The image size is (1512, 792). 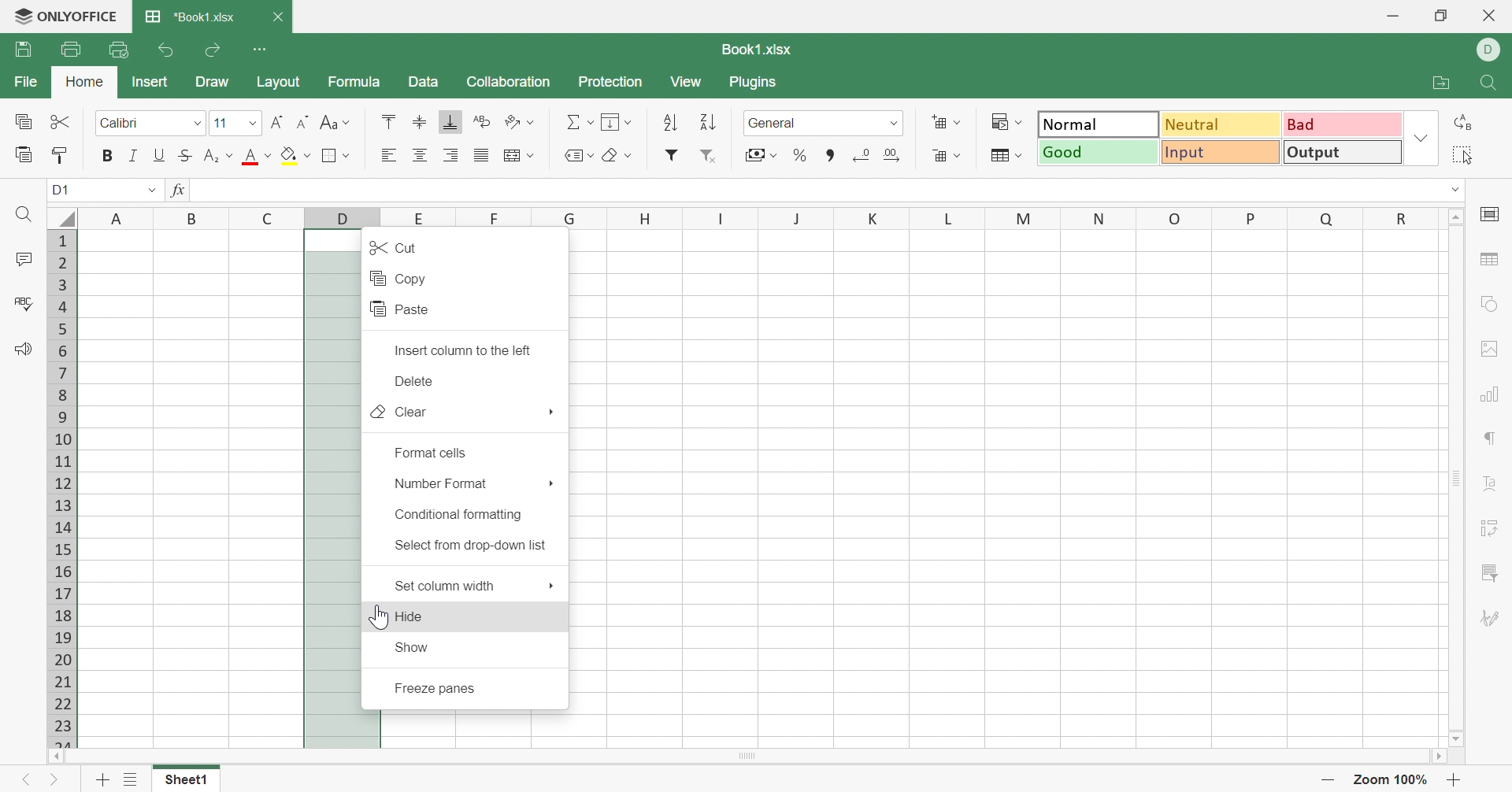 I want to click on Redo, so click(x=215, y=49).